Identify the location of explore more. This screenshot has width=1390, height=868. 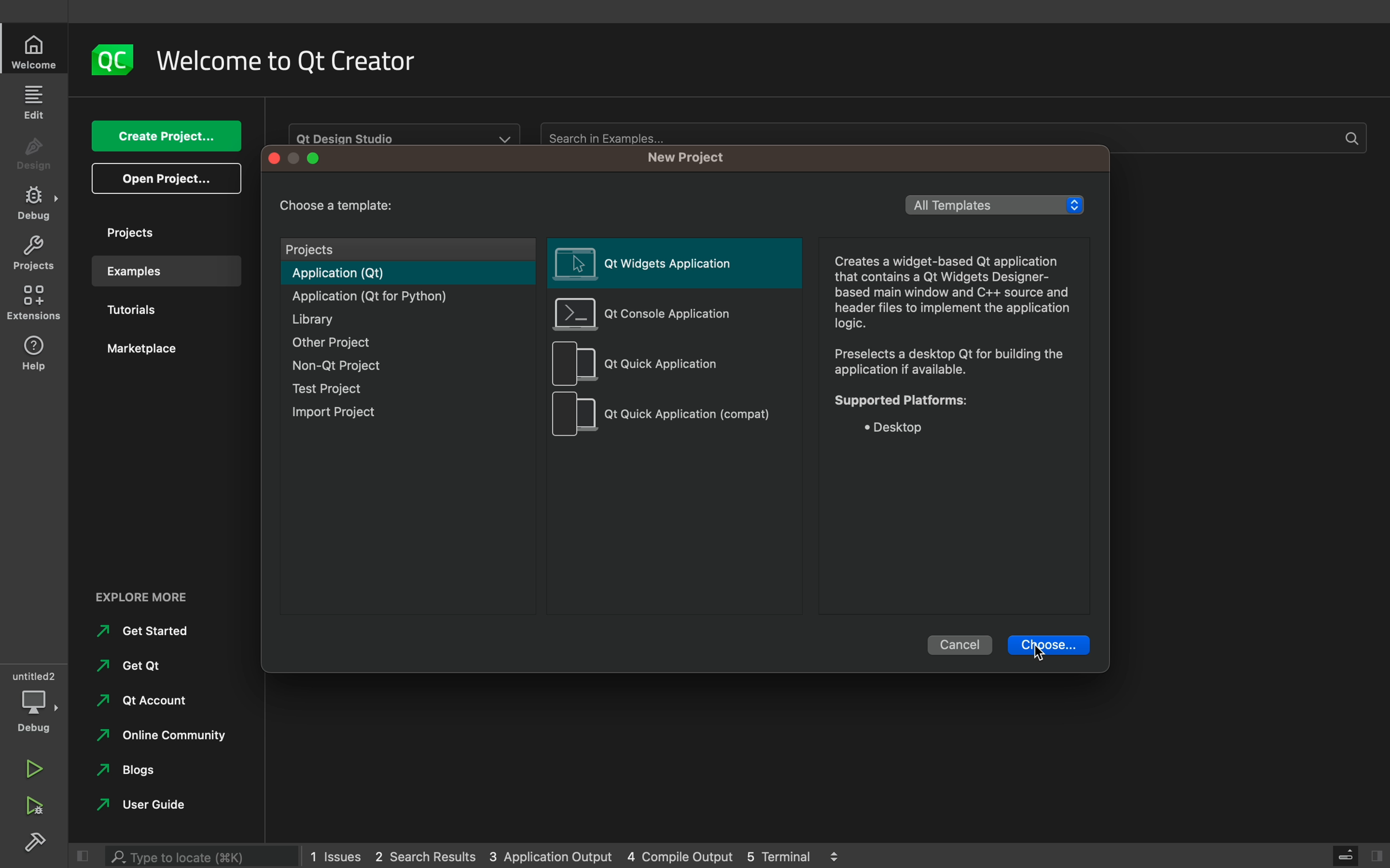
(150, 596).